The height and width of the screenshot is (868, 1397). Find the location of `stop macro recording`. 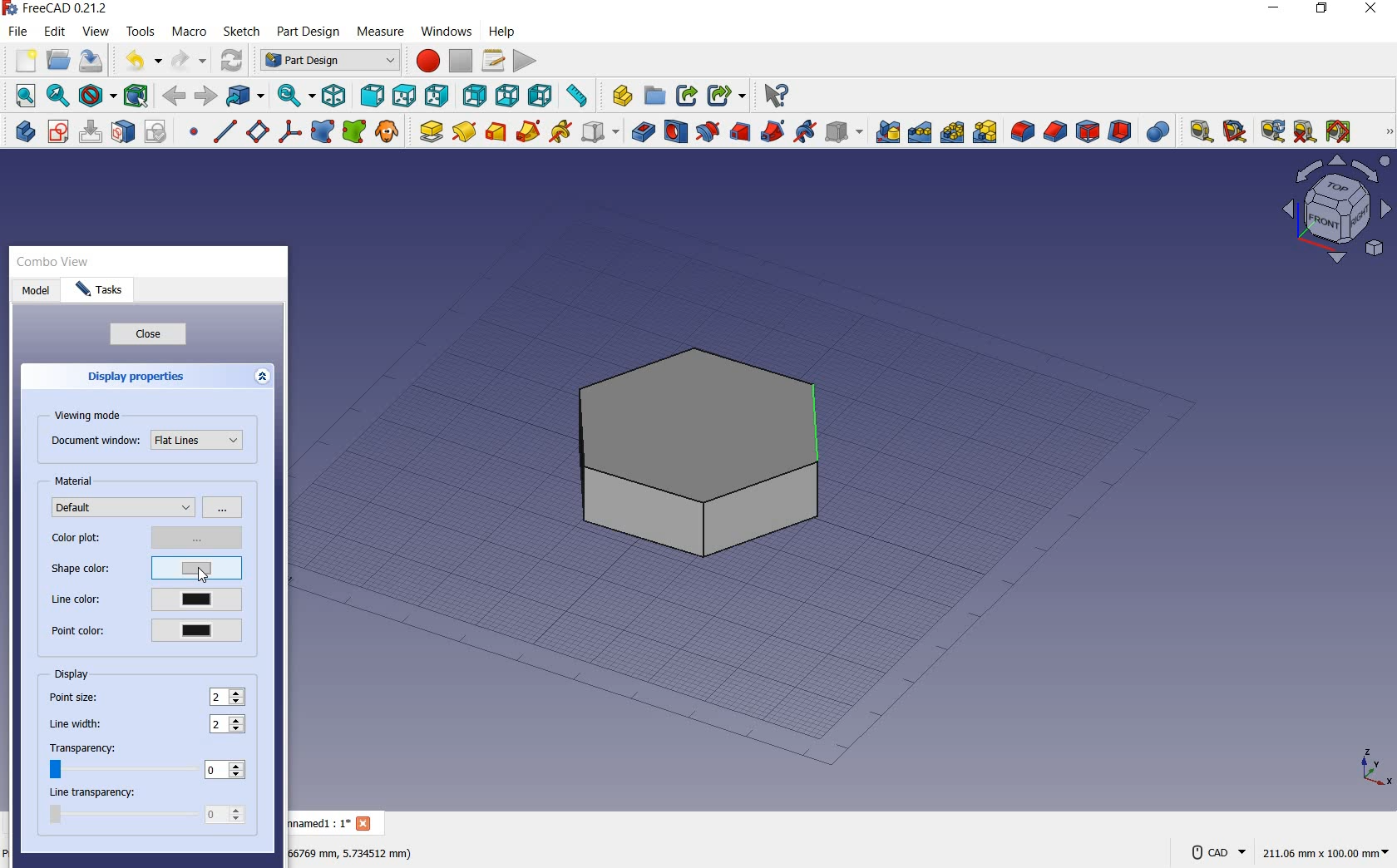

stop macro recording is located at coordinates (461, 61).